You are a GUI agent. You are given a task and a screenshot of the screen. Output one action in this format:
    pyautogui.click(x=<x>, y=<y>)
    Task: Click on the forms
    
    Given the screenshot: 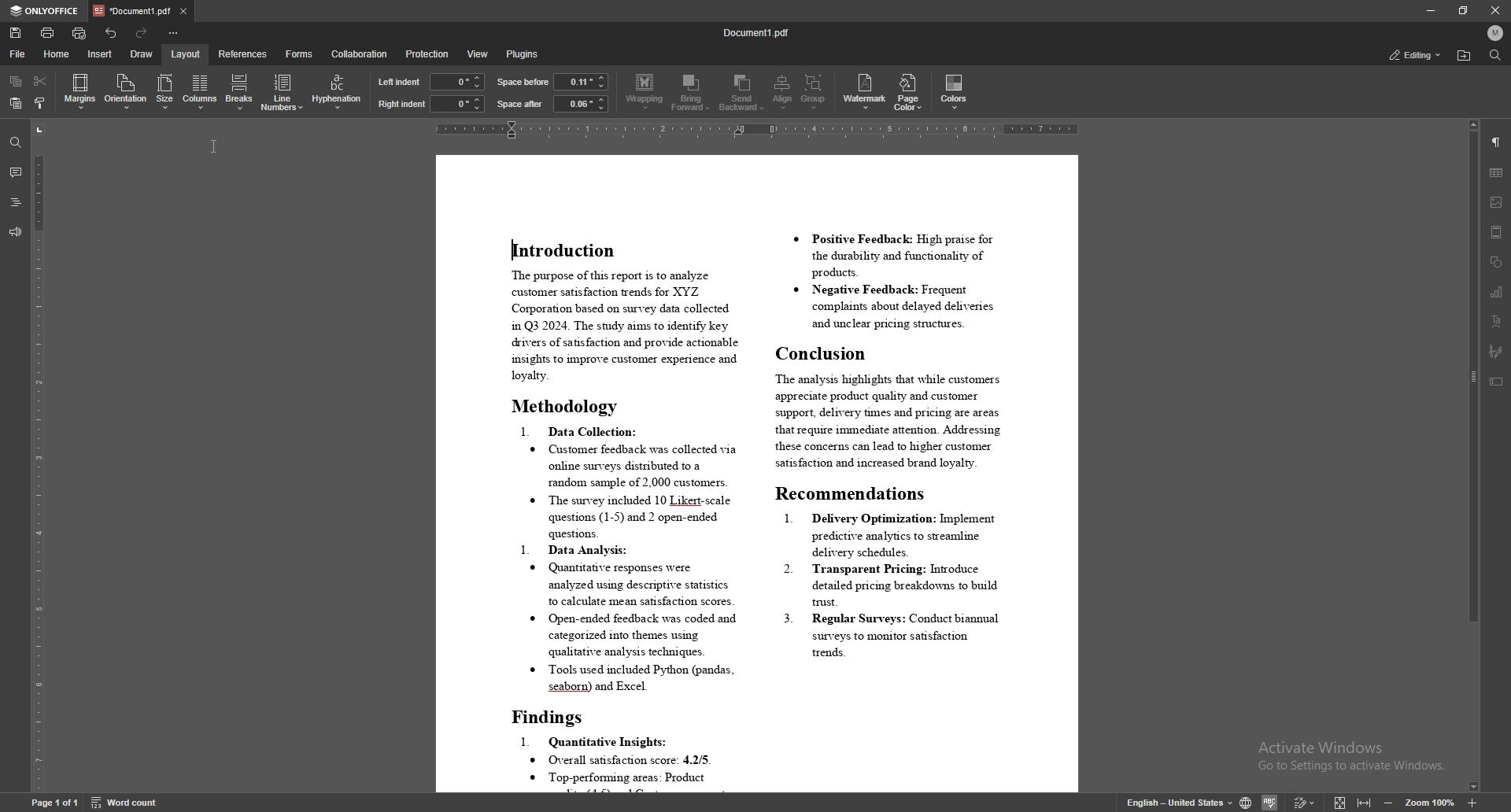 What is the action you would take?
    pyautogui.click(x=299, y=54)
    